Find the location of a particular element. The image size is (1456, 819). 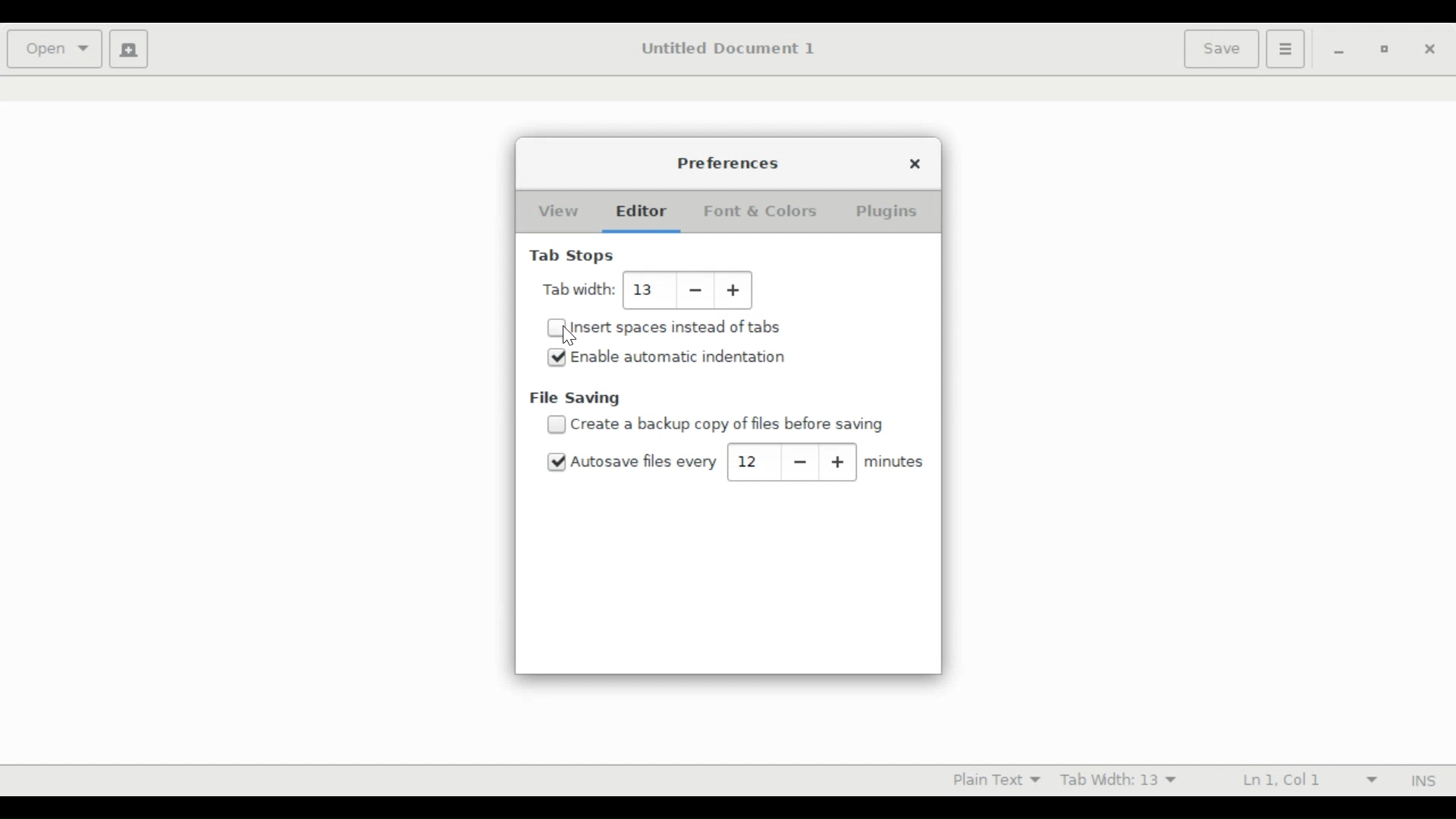

INS is located at coordinates (1423, 781).